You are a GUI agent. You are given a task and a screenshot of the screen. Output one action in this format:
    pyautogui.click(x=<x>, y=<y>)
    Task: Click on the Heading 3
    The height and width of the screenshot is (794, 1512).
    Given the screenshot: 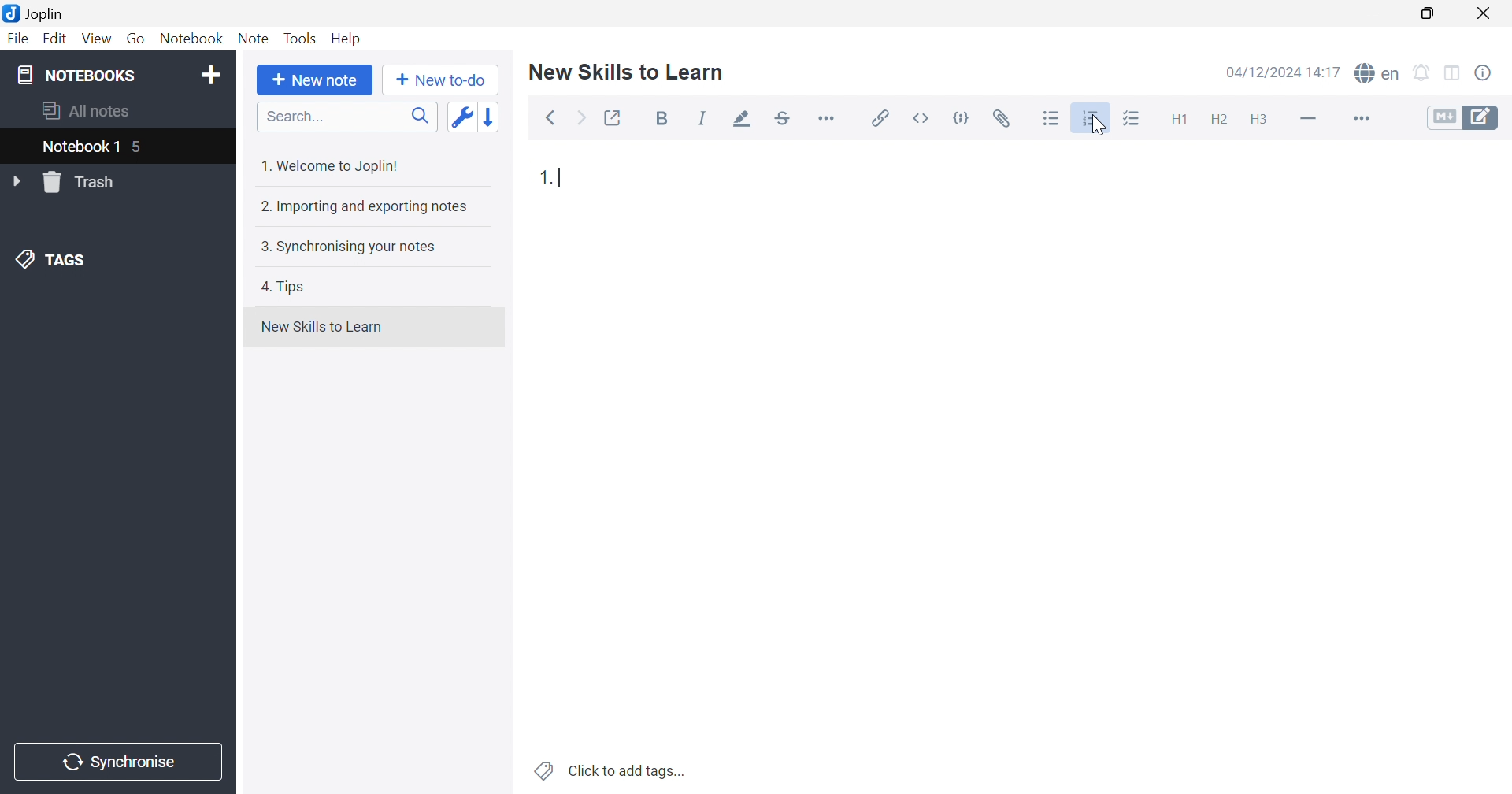 What is the action you would take?
    pyautogui.click(x=1258, y=121)
    